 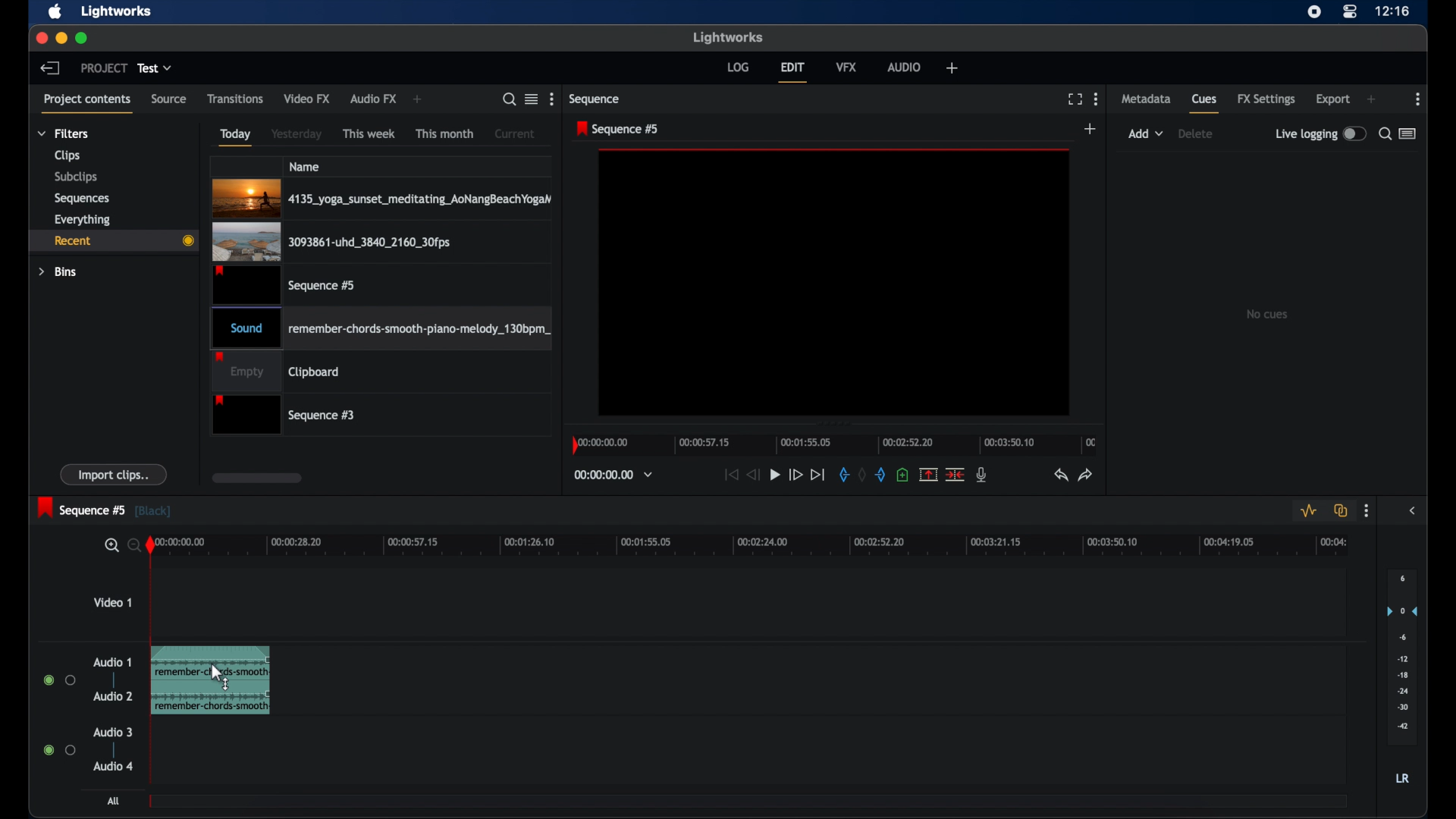 I want to click on audio 2, so click(x=112, y=696).